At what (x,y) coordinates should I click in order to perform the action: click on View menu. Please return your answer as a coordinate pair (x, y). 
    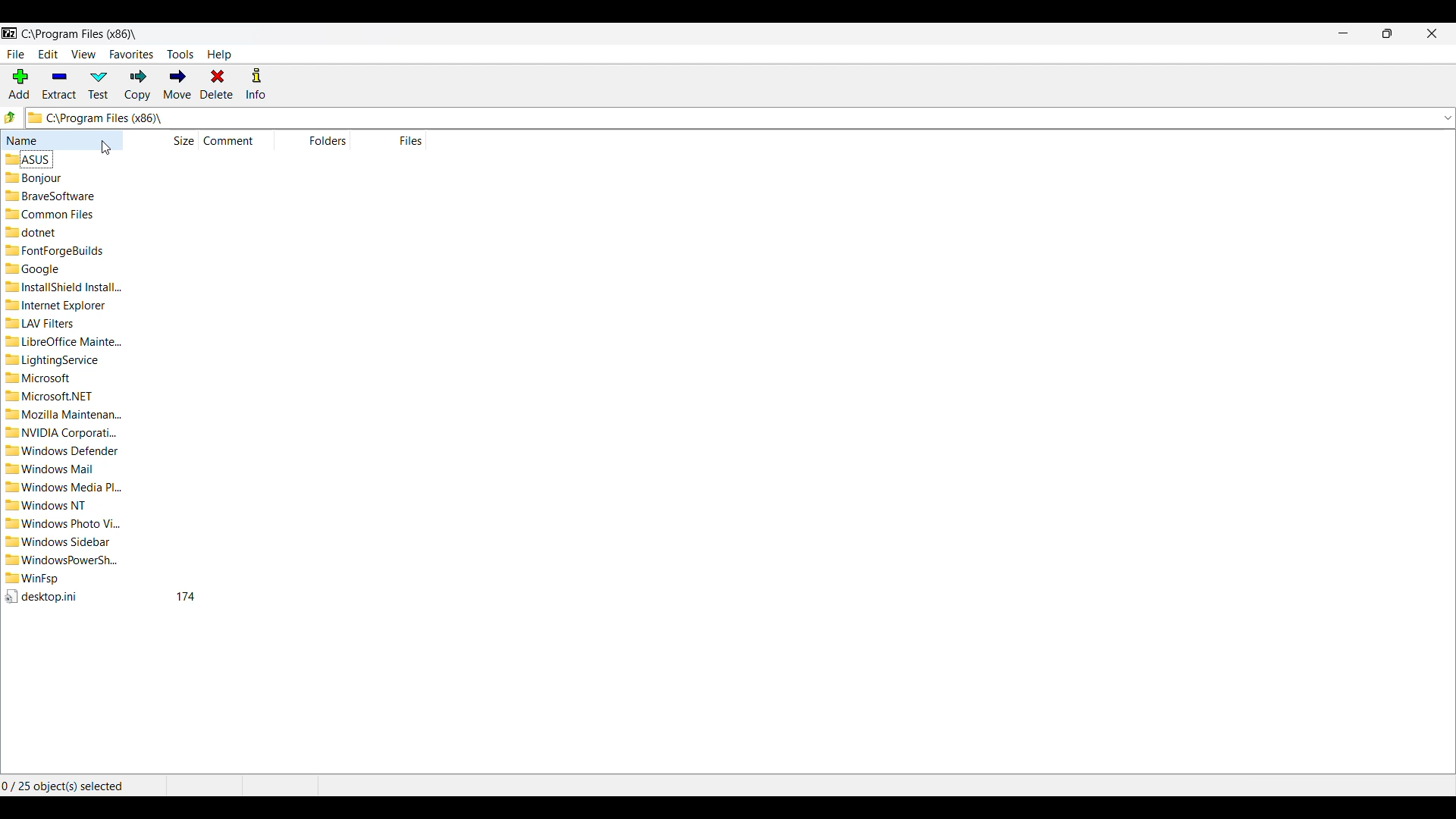
    Looking at the image, I should click on (84, 54).